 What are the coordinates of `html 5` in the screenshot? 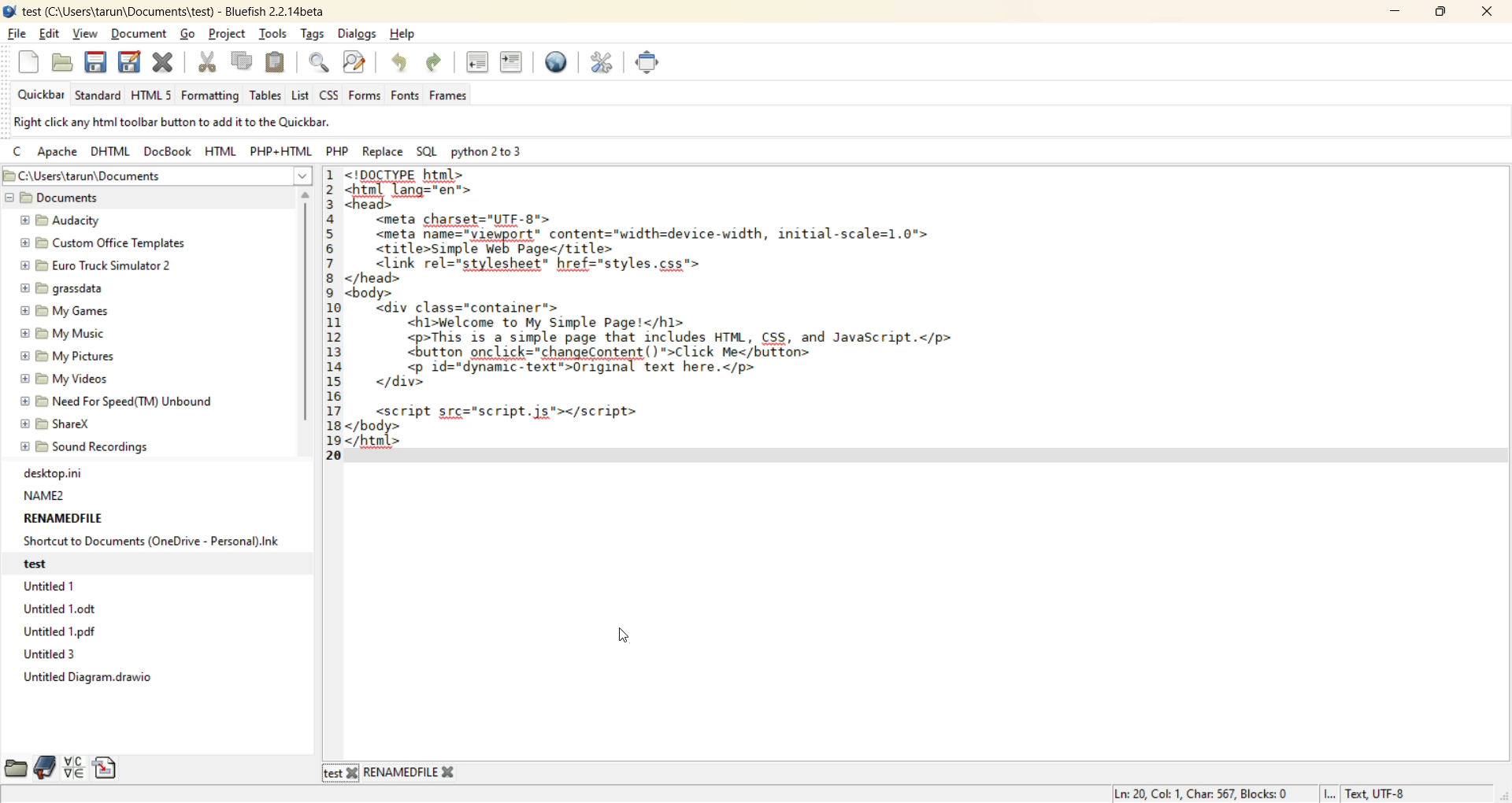 It's located at (154, 95).